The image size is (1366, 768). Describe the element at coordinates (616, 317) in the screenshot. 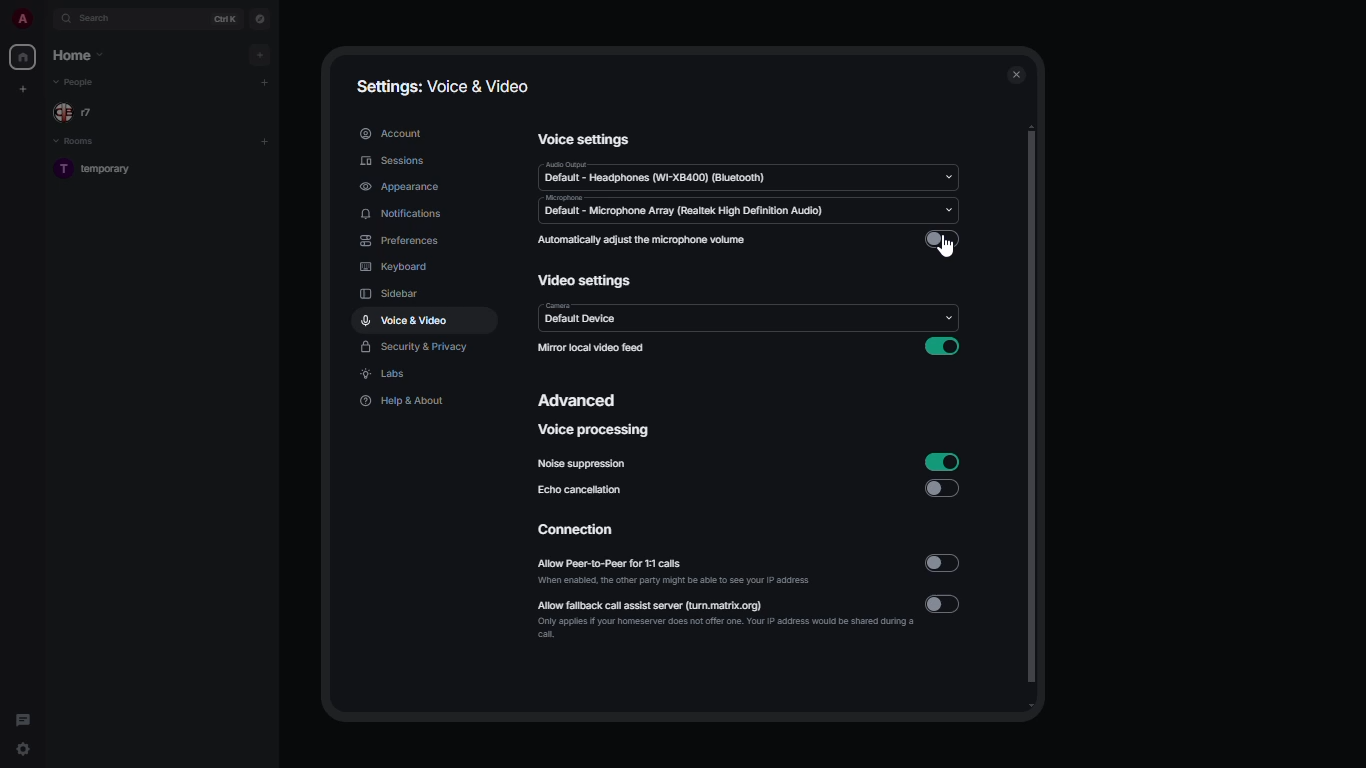

I see `Defaut Device` at that location.